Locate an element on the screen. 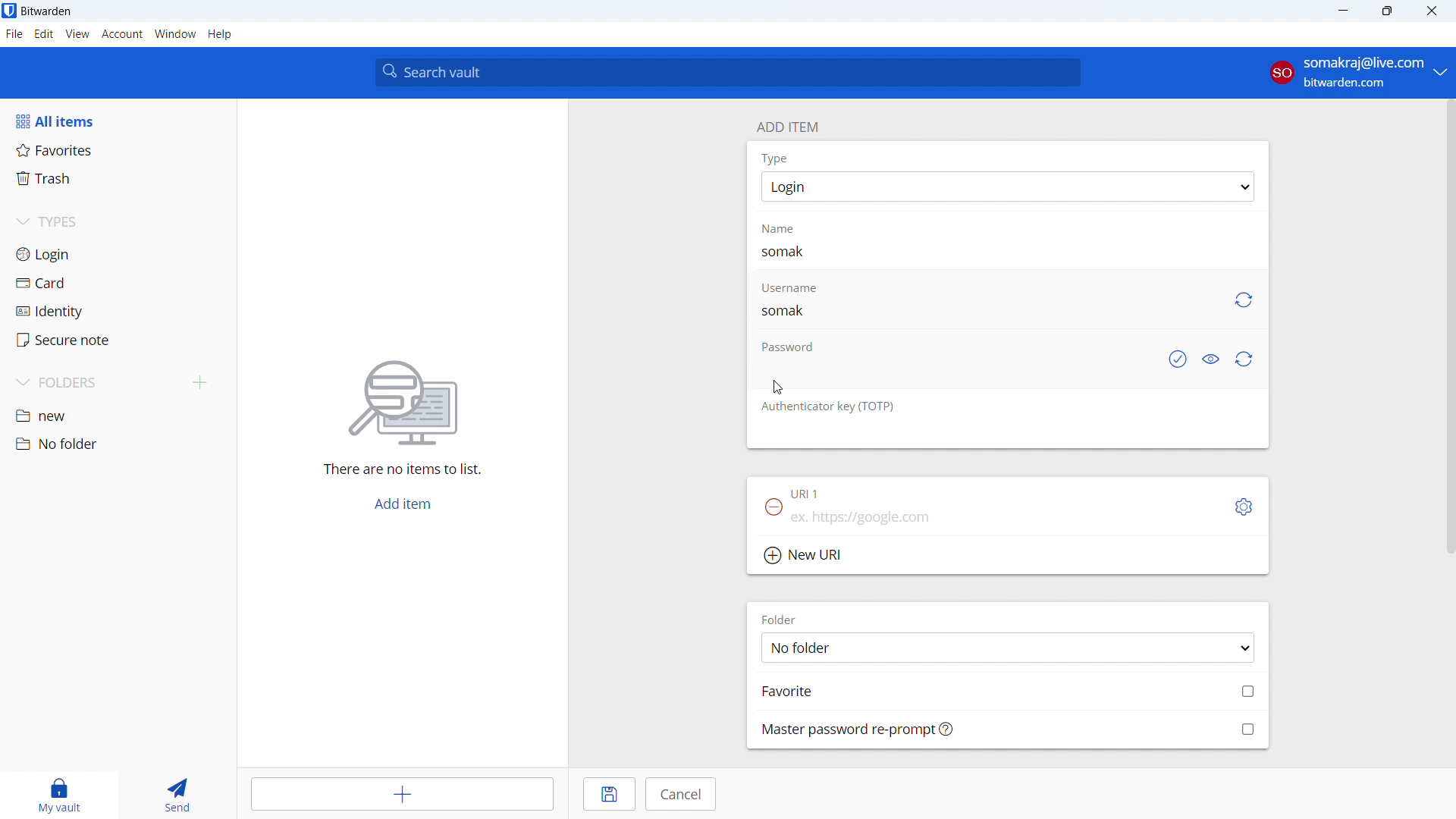 This screenshot has height=819, width=1456. maximize is located at coordinates (1386, 11).